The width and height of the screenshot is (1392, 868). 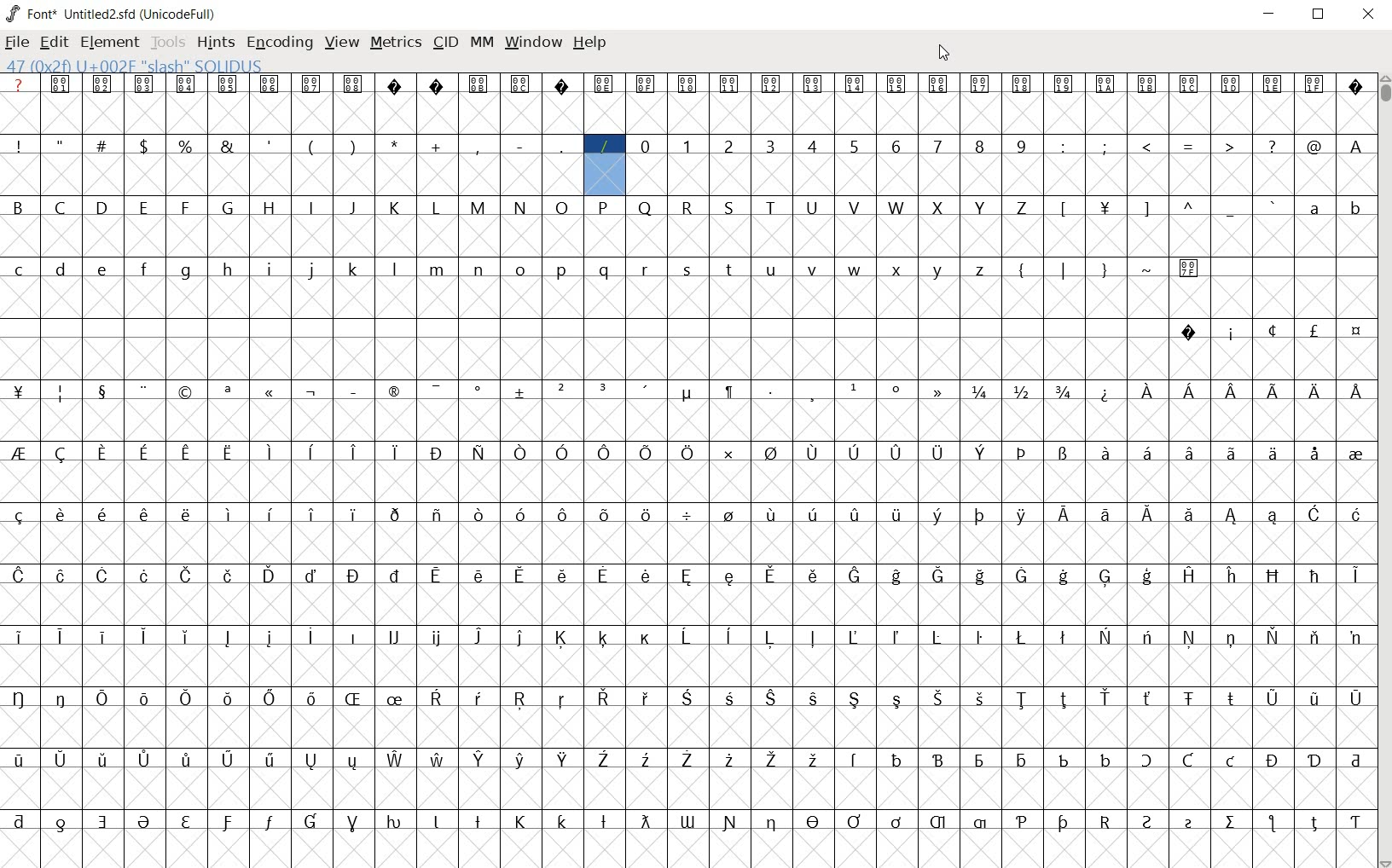 I want to click on glyph, so click(x=771, y=271).